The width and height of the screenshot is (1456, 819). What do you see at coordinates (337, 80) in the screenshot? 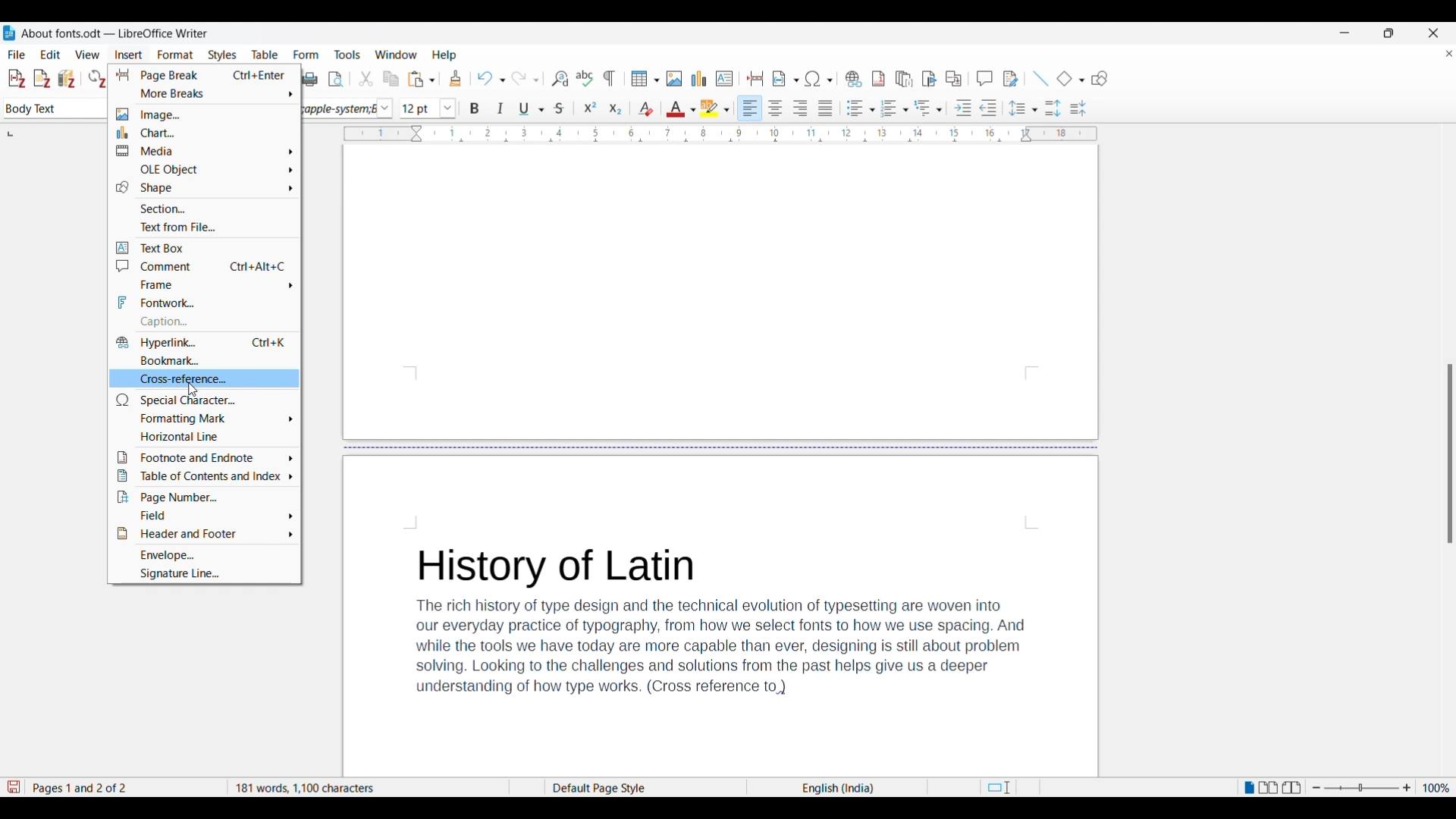
I see `Toggle print preview` at bounding box center [337, 80].